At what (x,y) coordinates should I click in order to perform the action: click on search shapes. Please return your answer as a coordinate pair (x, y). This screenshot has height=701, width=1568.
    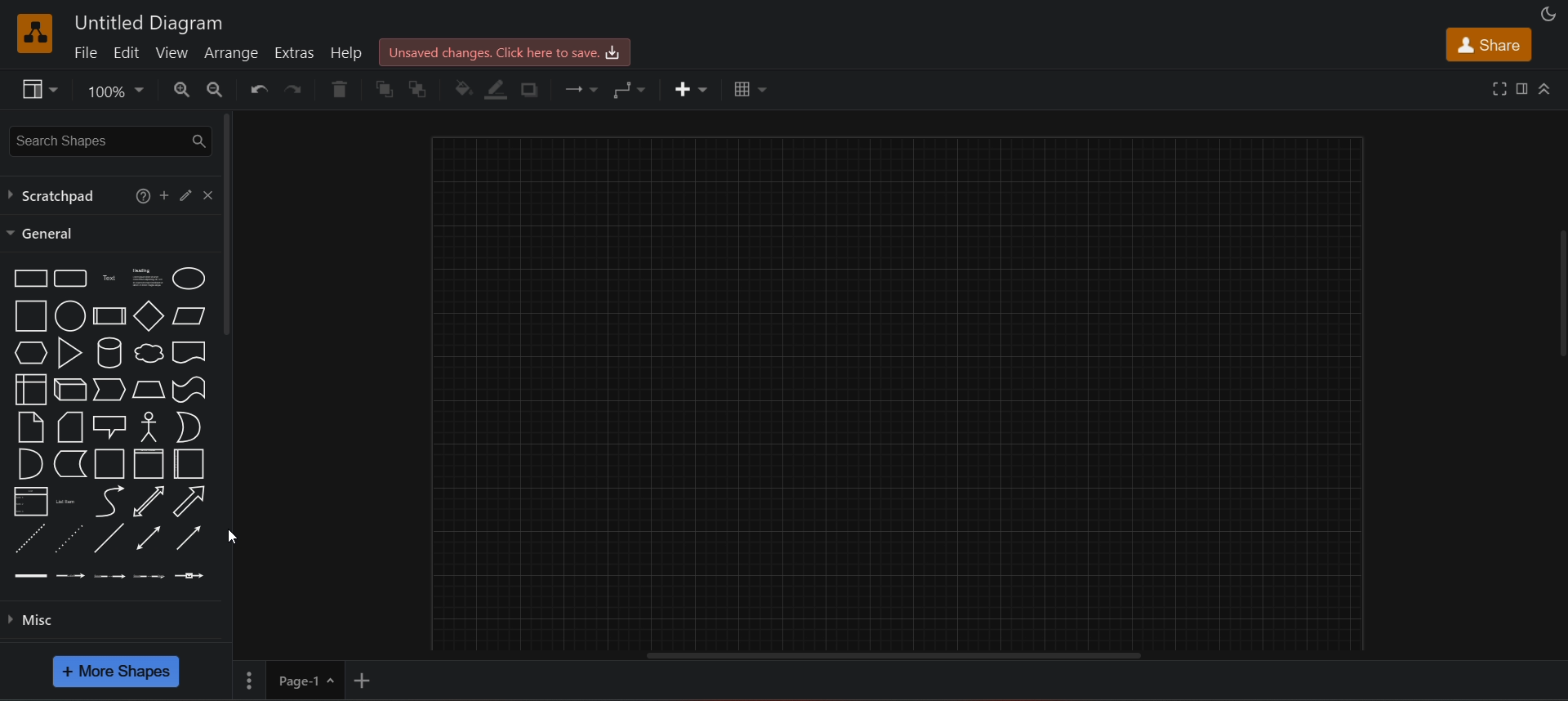
    Looking at the image, I should click on (107, 139).